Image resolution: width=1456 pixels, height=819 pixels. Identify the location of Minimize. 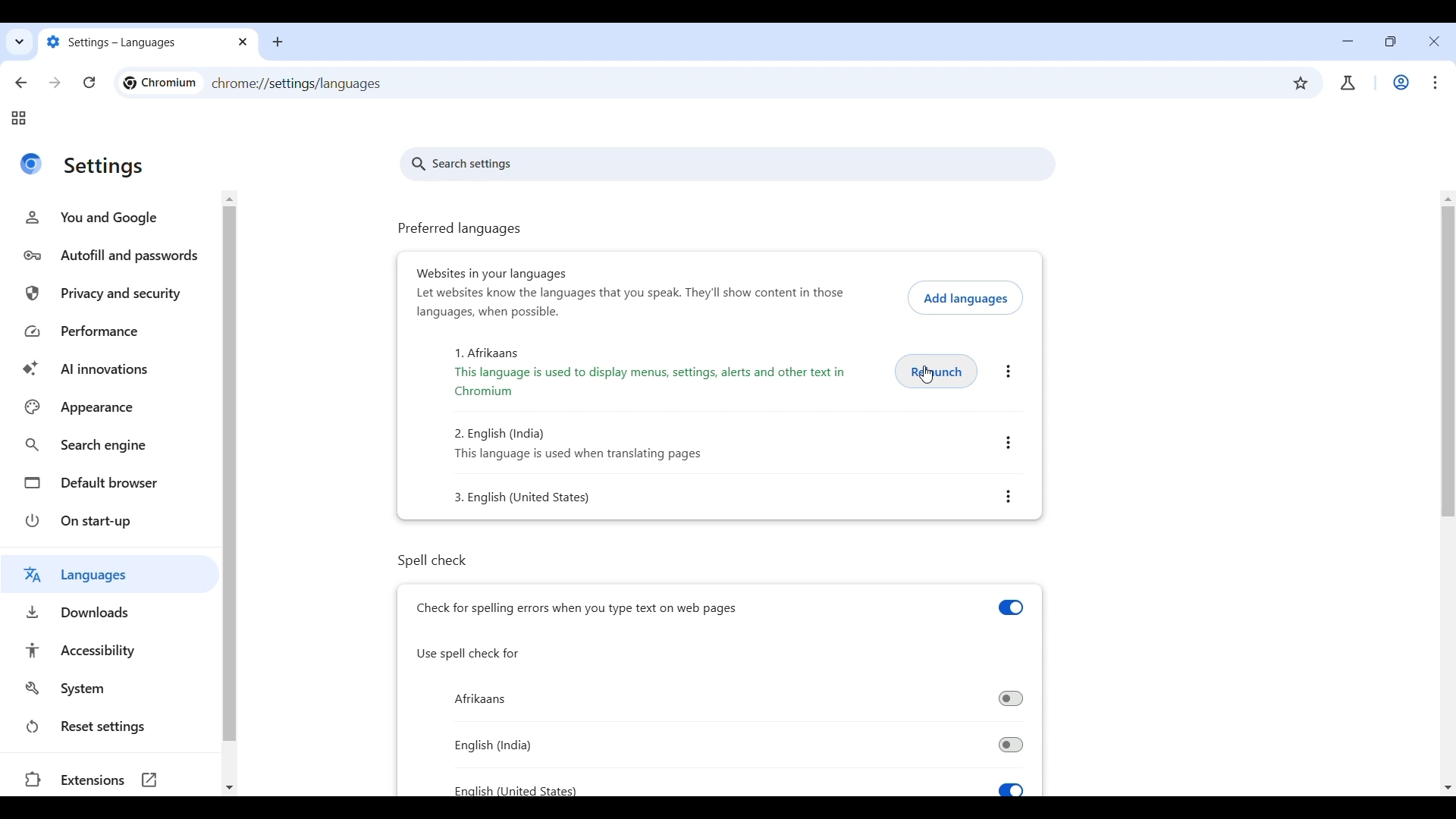
(1348, 41).